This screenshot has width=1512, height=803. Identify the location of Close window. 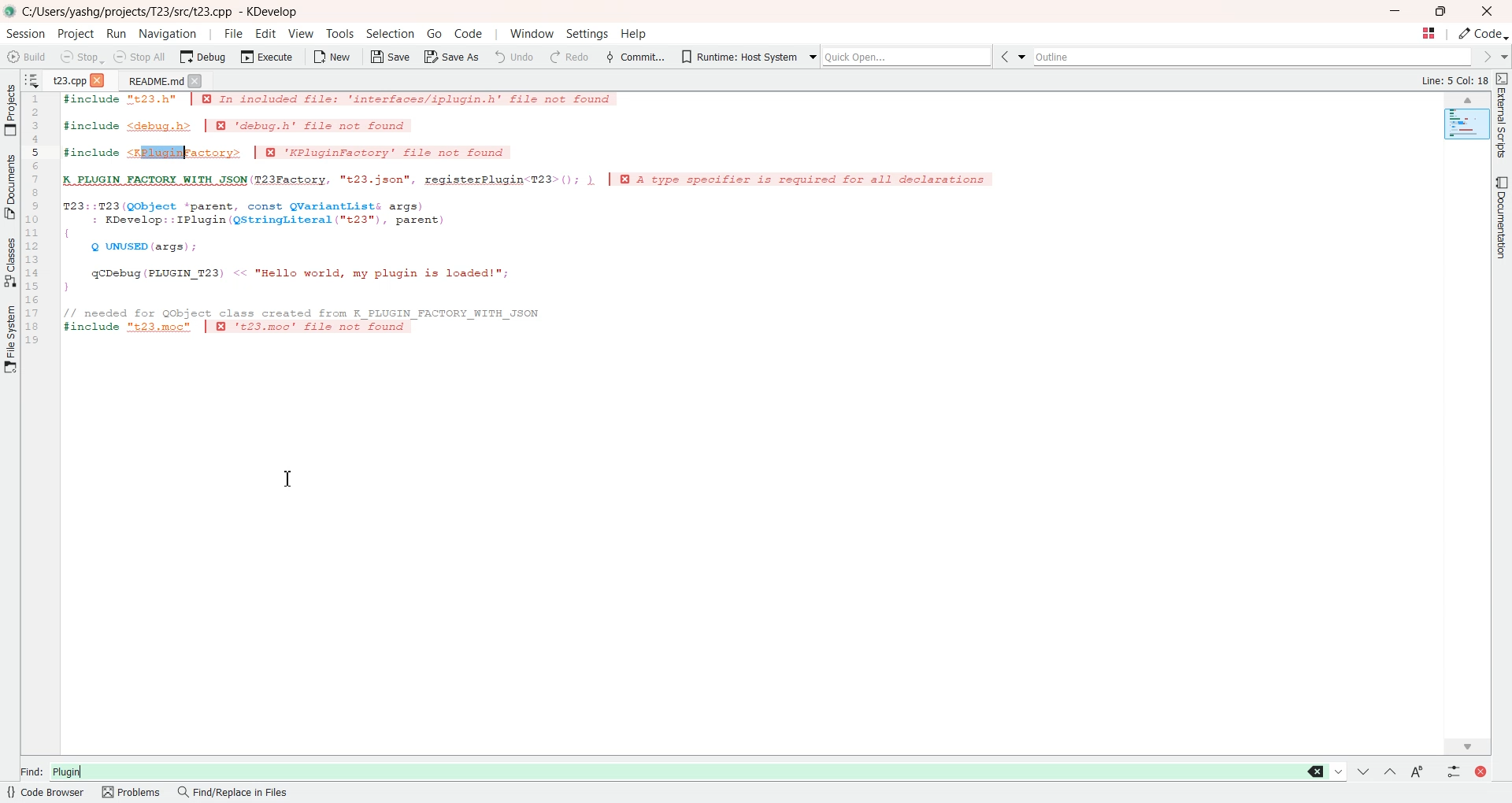
(1478, 770).